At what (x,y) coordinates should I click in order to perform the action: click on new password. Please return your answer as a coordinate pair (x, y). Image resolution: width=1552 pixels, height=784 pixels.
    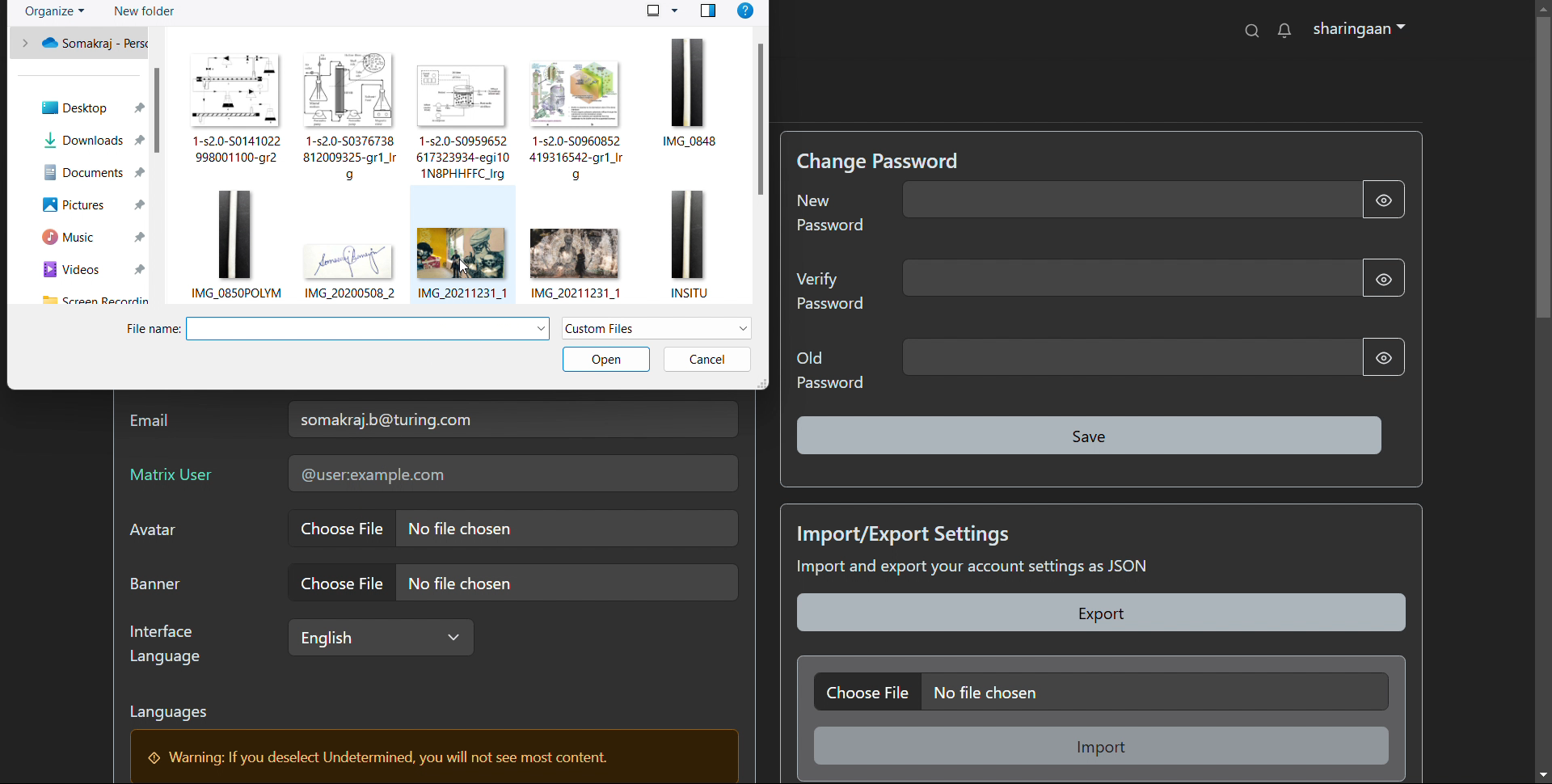
    Looking at the image, I should click on (1129, 200).